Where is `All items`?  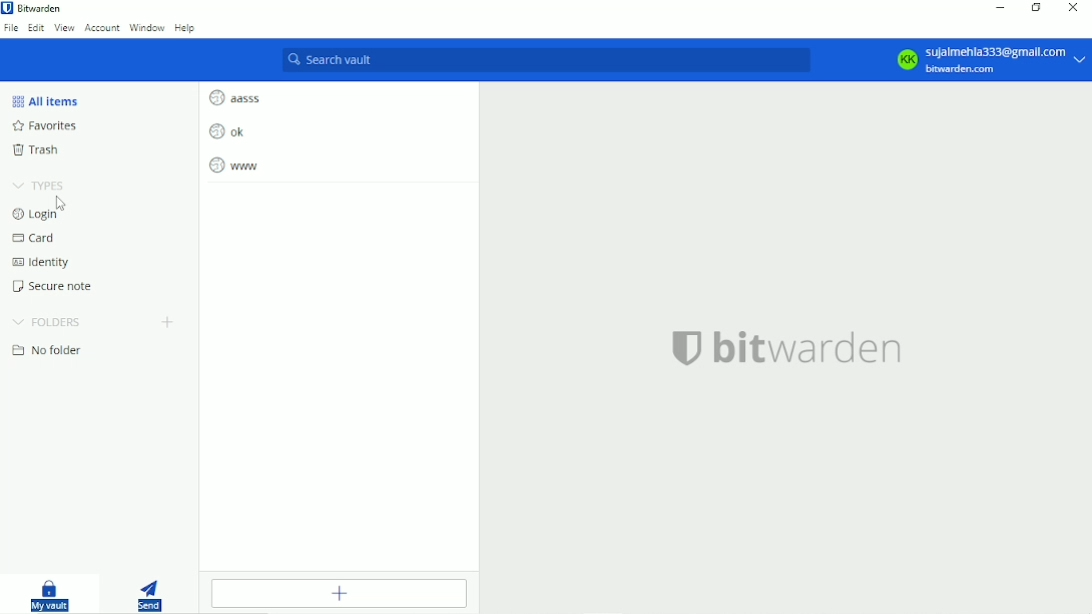
All items is located at coordinates (48, 101).